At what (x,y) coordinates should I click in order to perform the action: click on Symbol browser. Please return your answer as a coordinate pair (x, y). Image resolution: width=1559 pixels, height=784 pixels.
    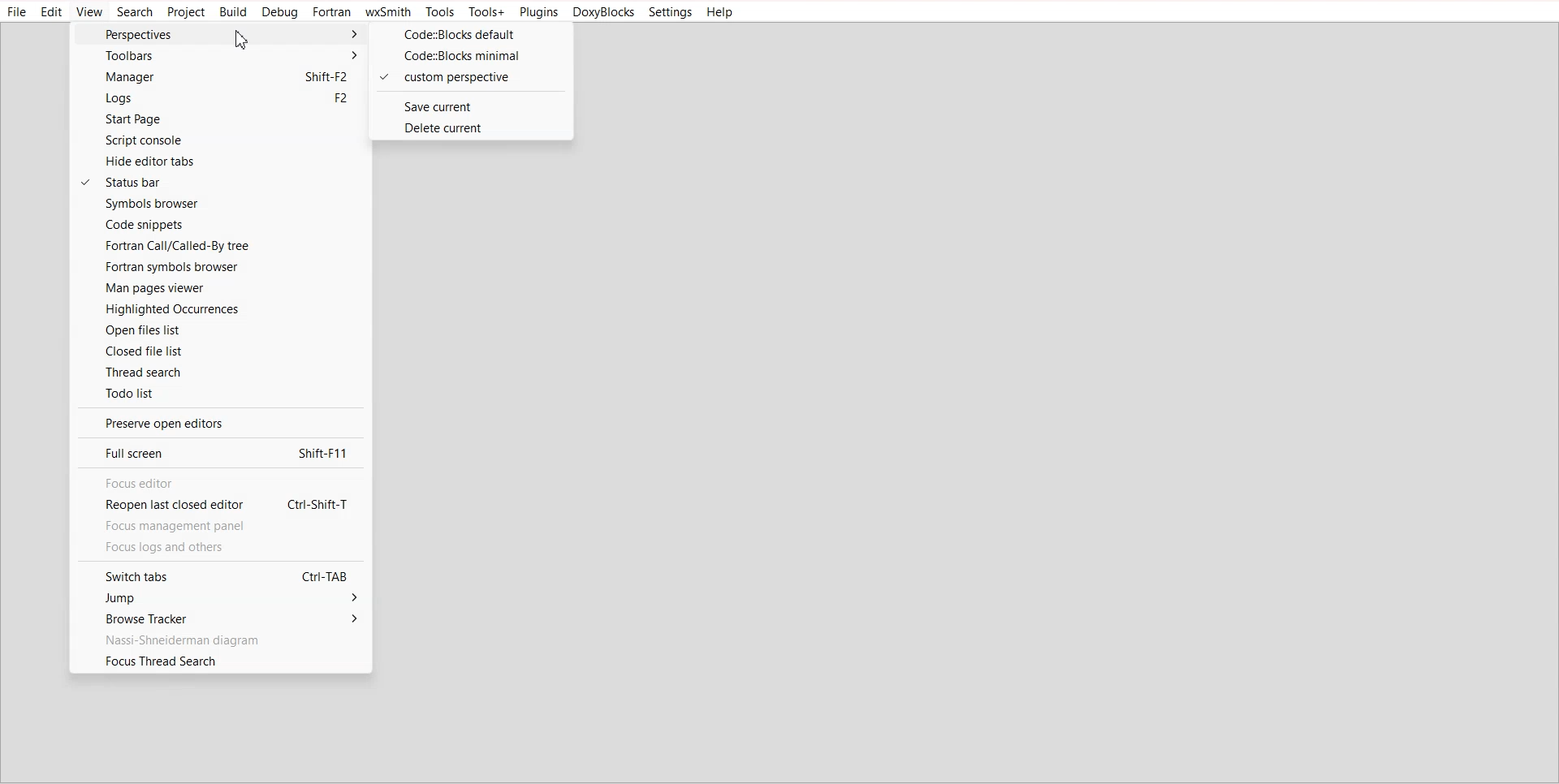
    Looking at the image, I should click on (218, 204).